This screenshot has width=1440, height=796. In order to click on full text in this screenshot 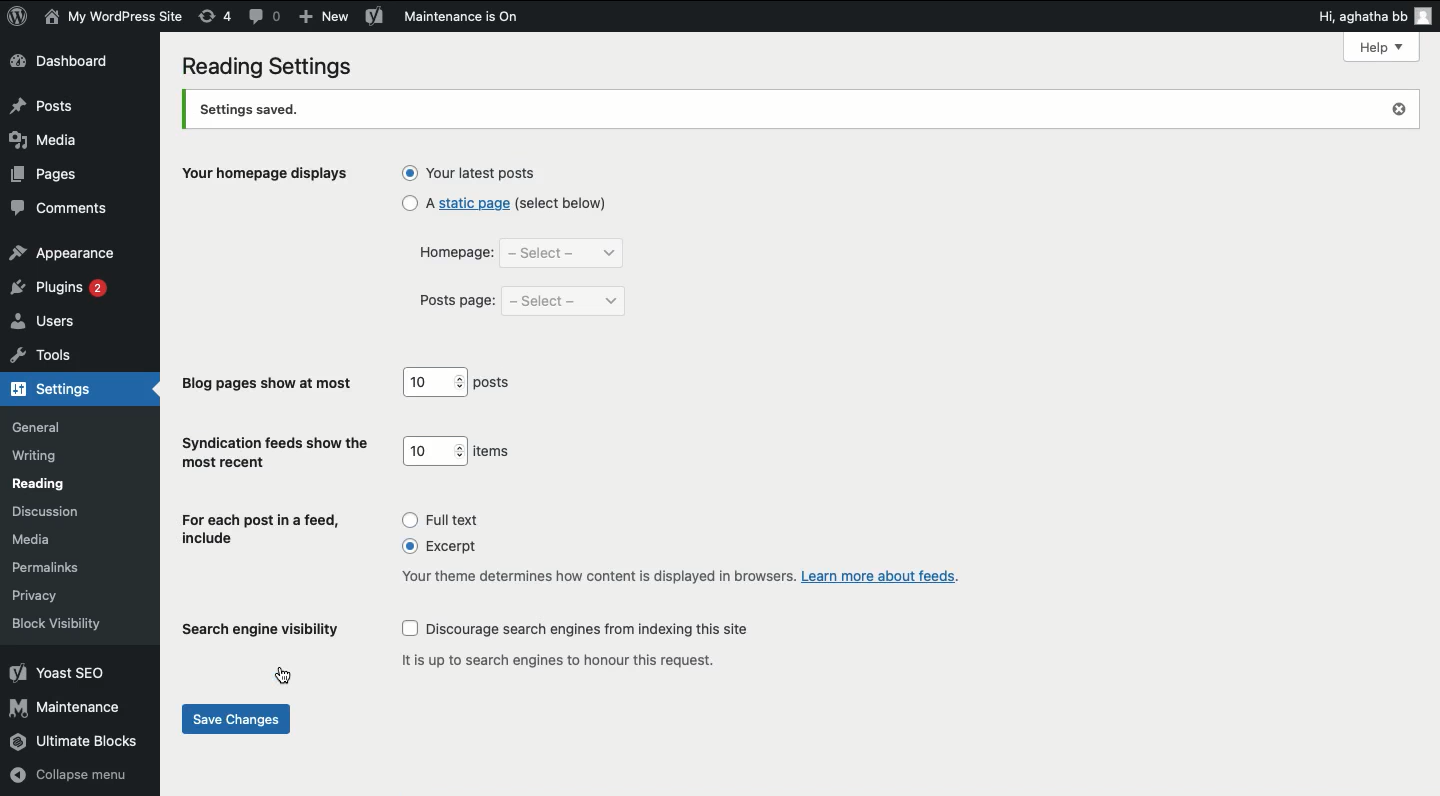, I will do `click(438, 519)`.